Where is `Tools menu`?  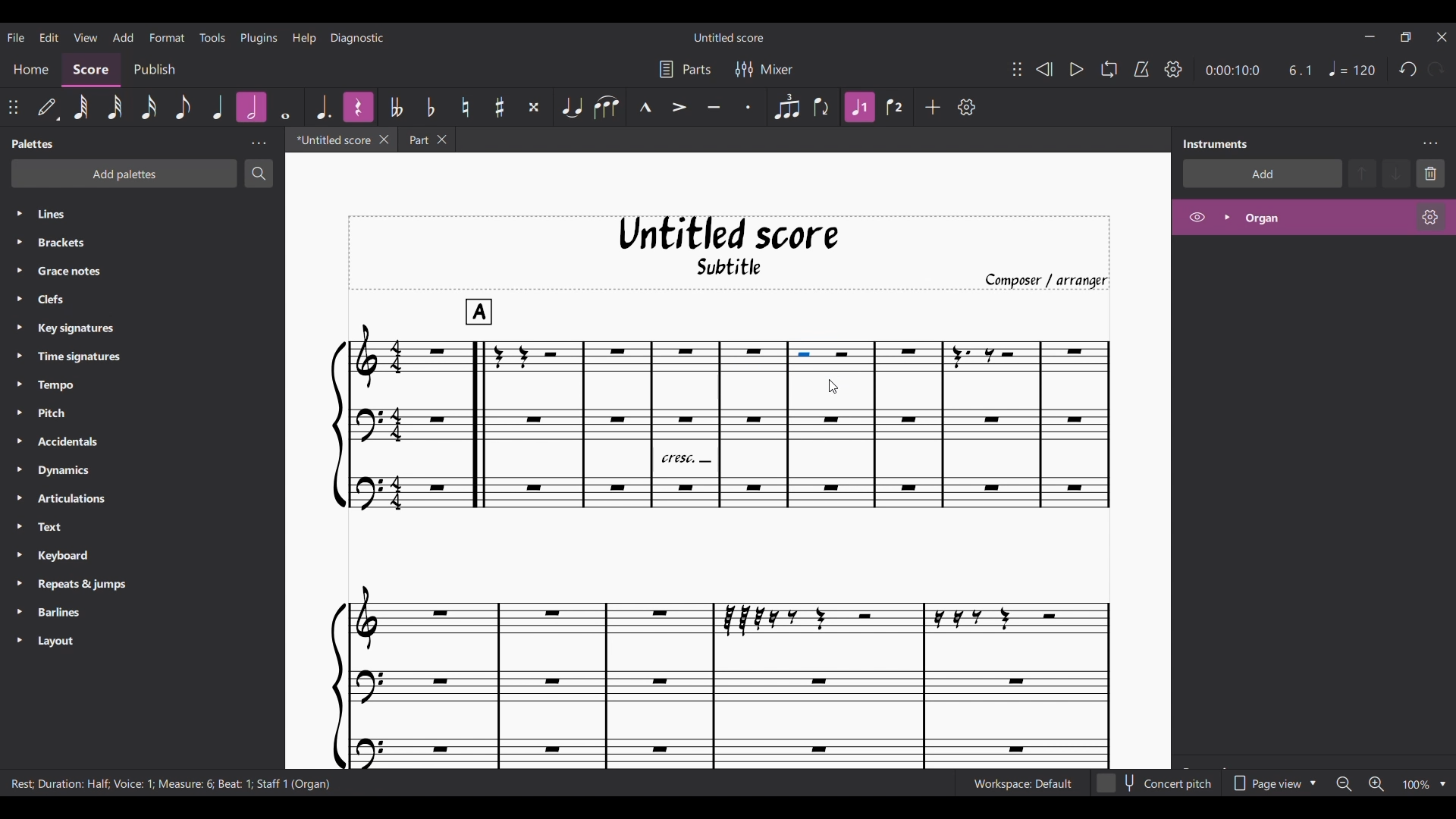
Tools menu is located at coordinates (212, 36).